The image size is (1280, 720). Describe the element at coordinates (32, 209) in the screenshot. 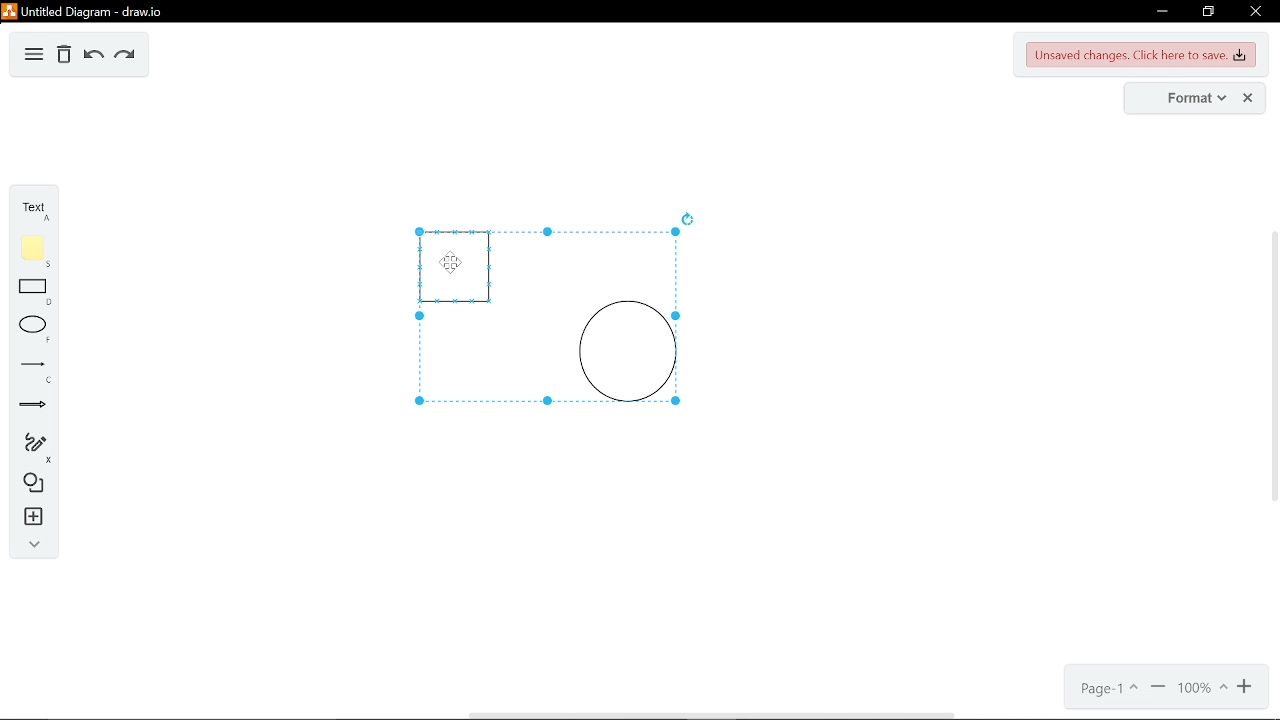

I see `text` at that location.